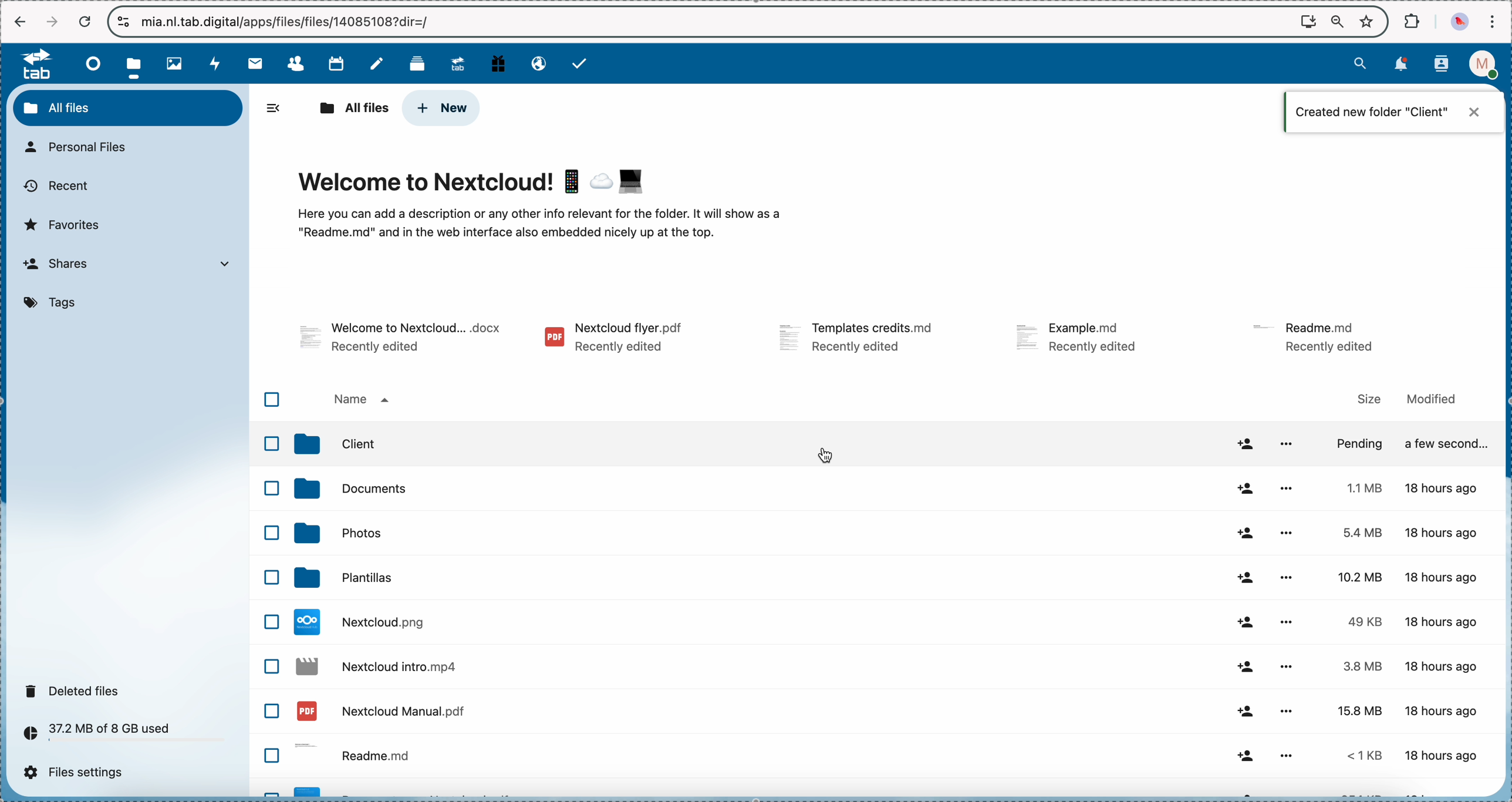 The width and height of the screenshot is (1512, 802). I want to click on share, so click(1248, 664).